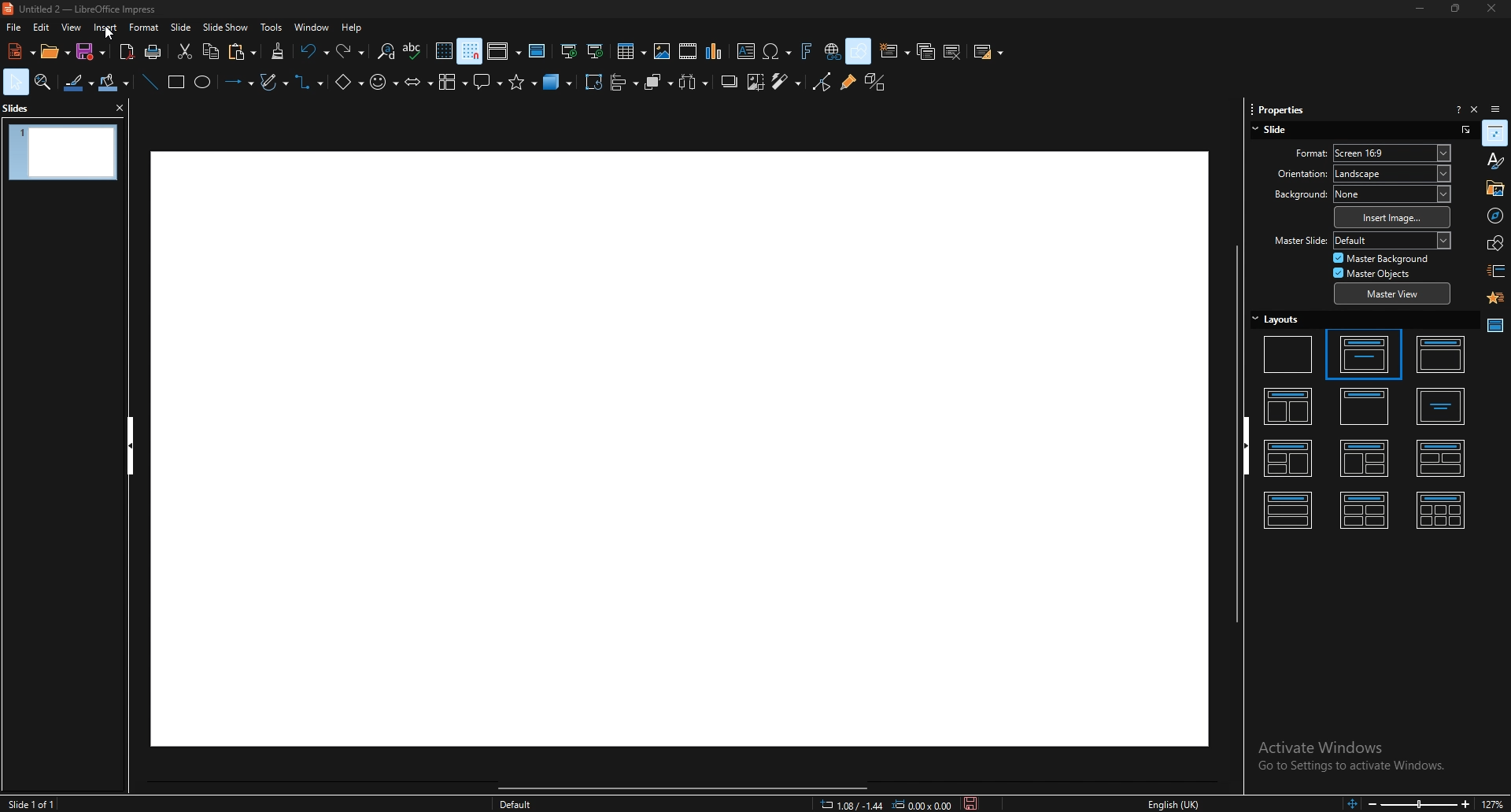 The width and height of the screenshot is (1511, 812). I want to click on rectangle, so click(175, 83).